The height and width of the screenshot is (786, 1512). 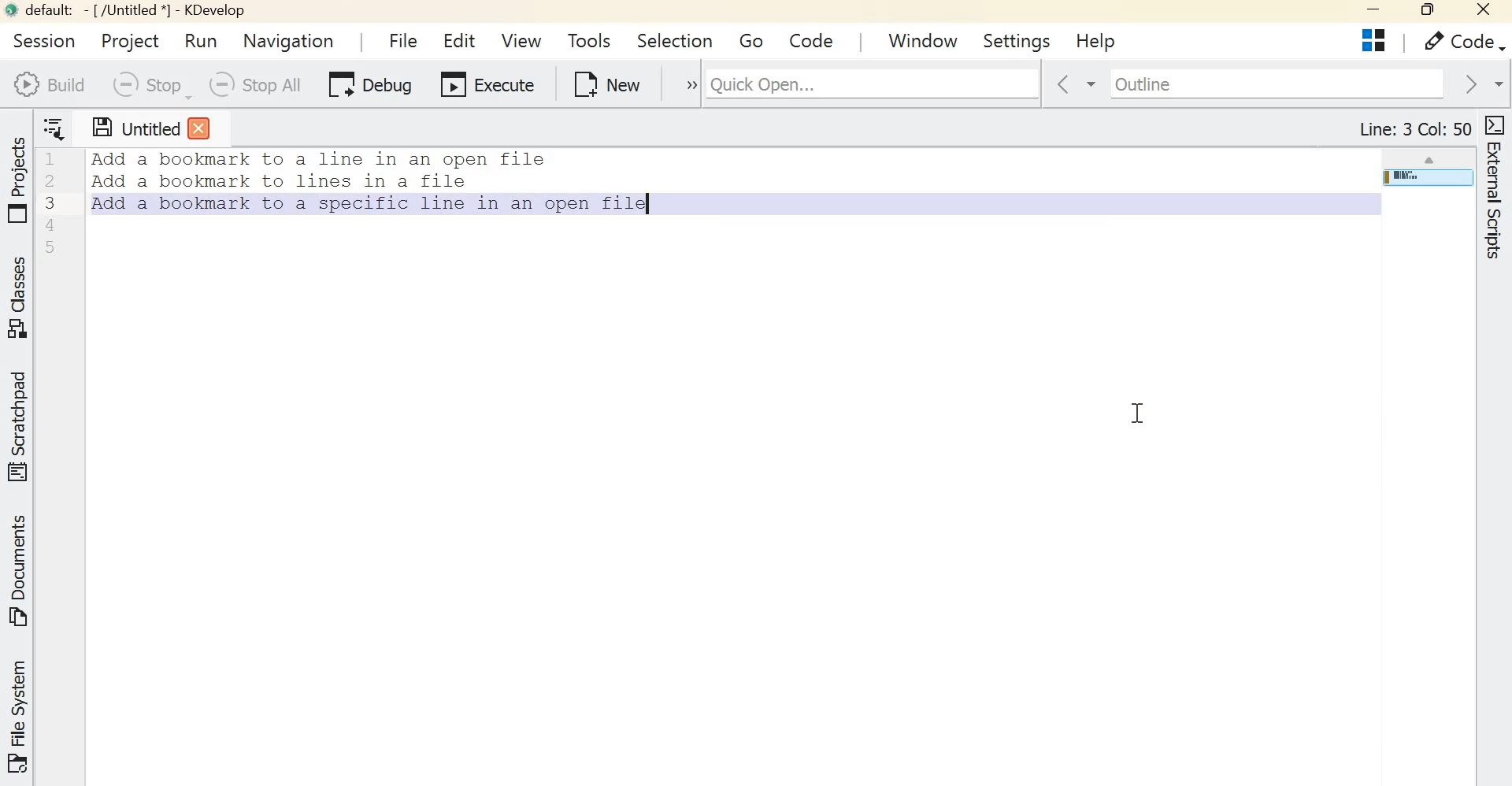 I want to click on Navigation, so click(x=289, y=43).